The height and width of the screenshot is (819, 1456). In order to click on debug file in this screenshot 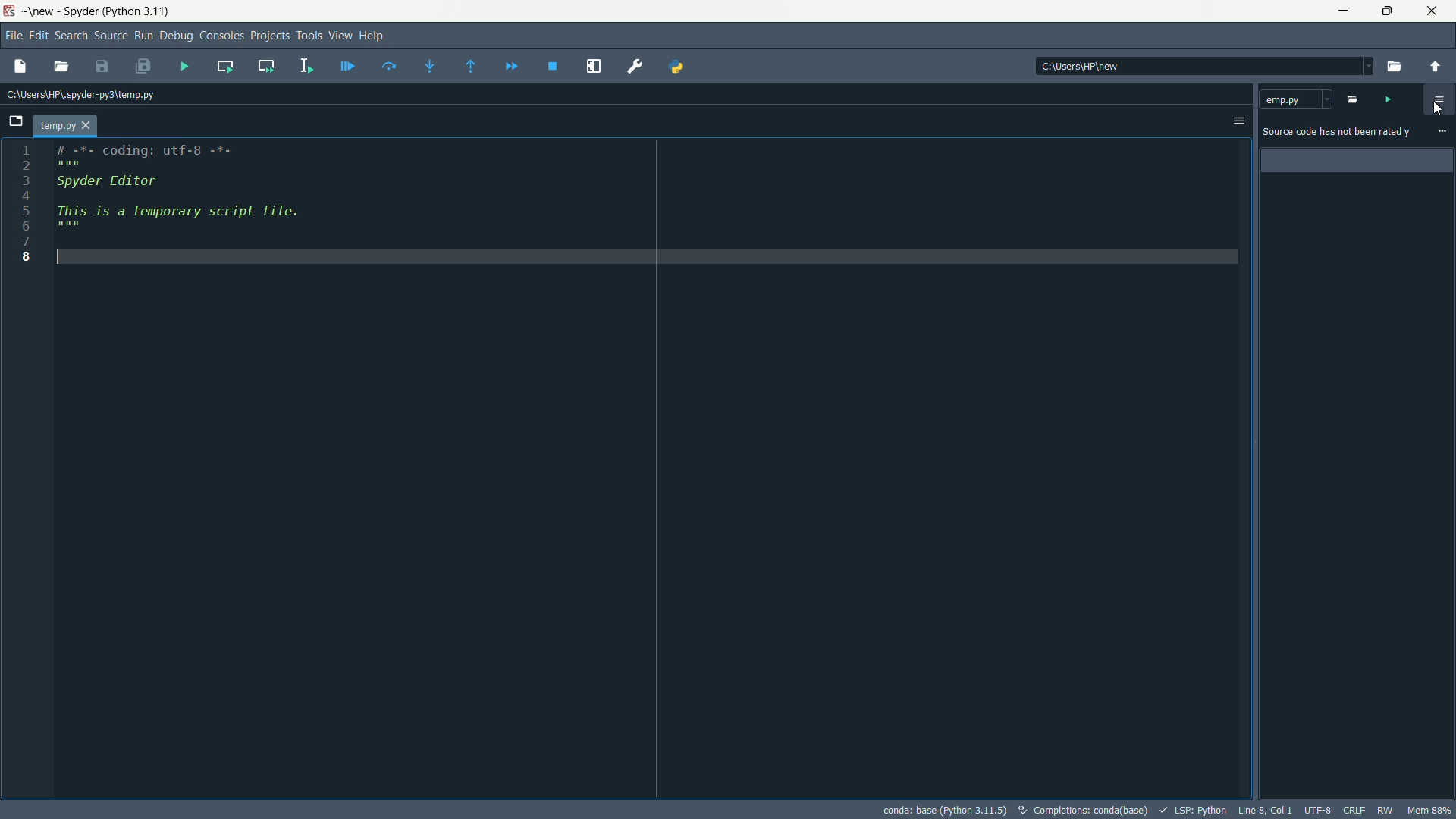, I will do `click(349, 67)`.